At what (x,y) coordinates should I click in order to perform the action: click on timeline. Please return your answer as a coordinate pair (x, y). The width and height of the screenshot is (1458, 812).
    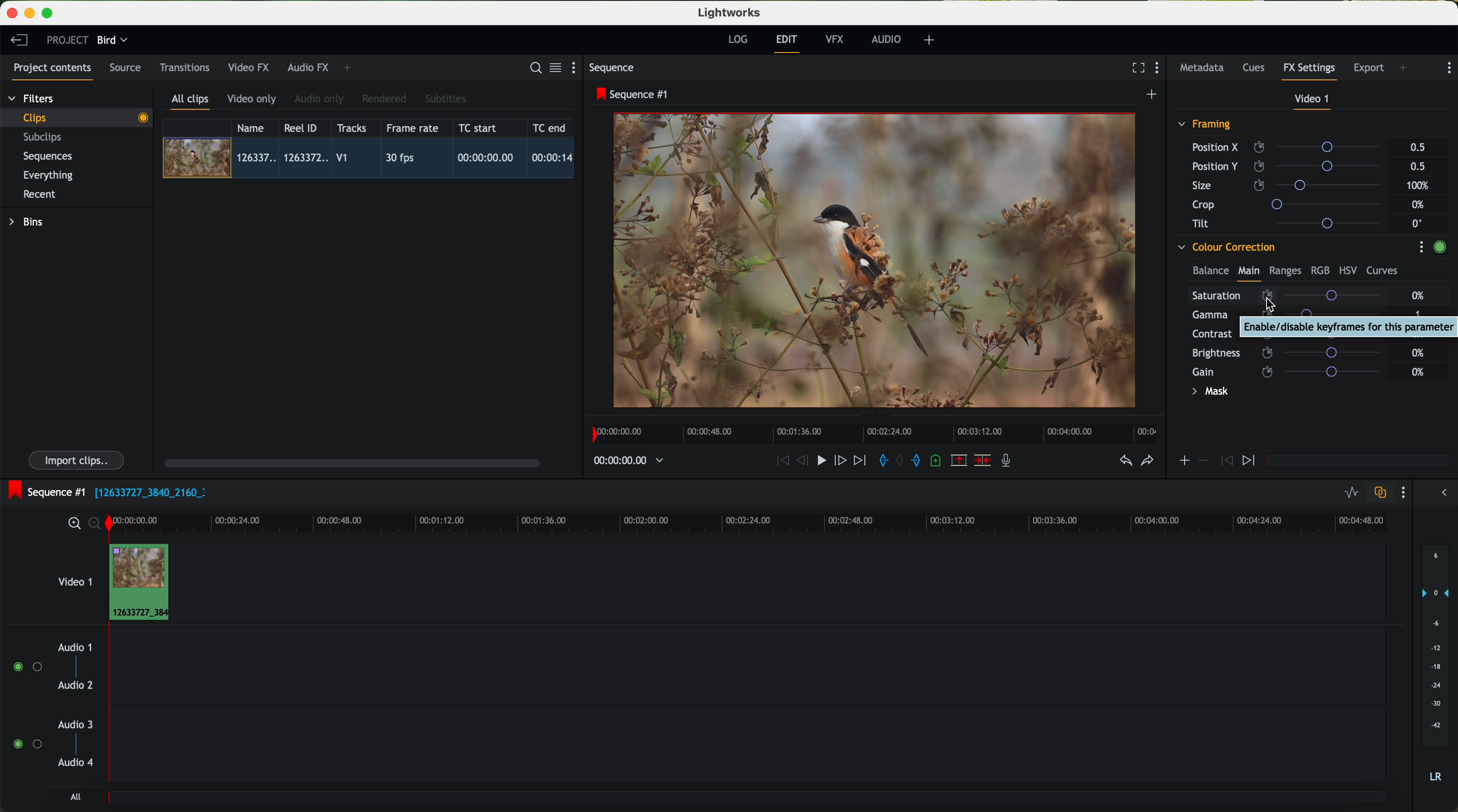
    Looking at the image, I should click on (871, 431).